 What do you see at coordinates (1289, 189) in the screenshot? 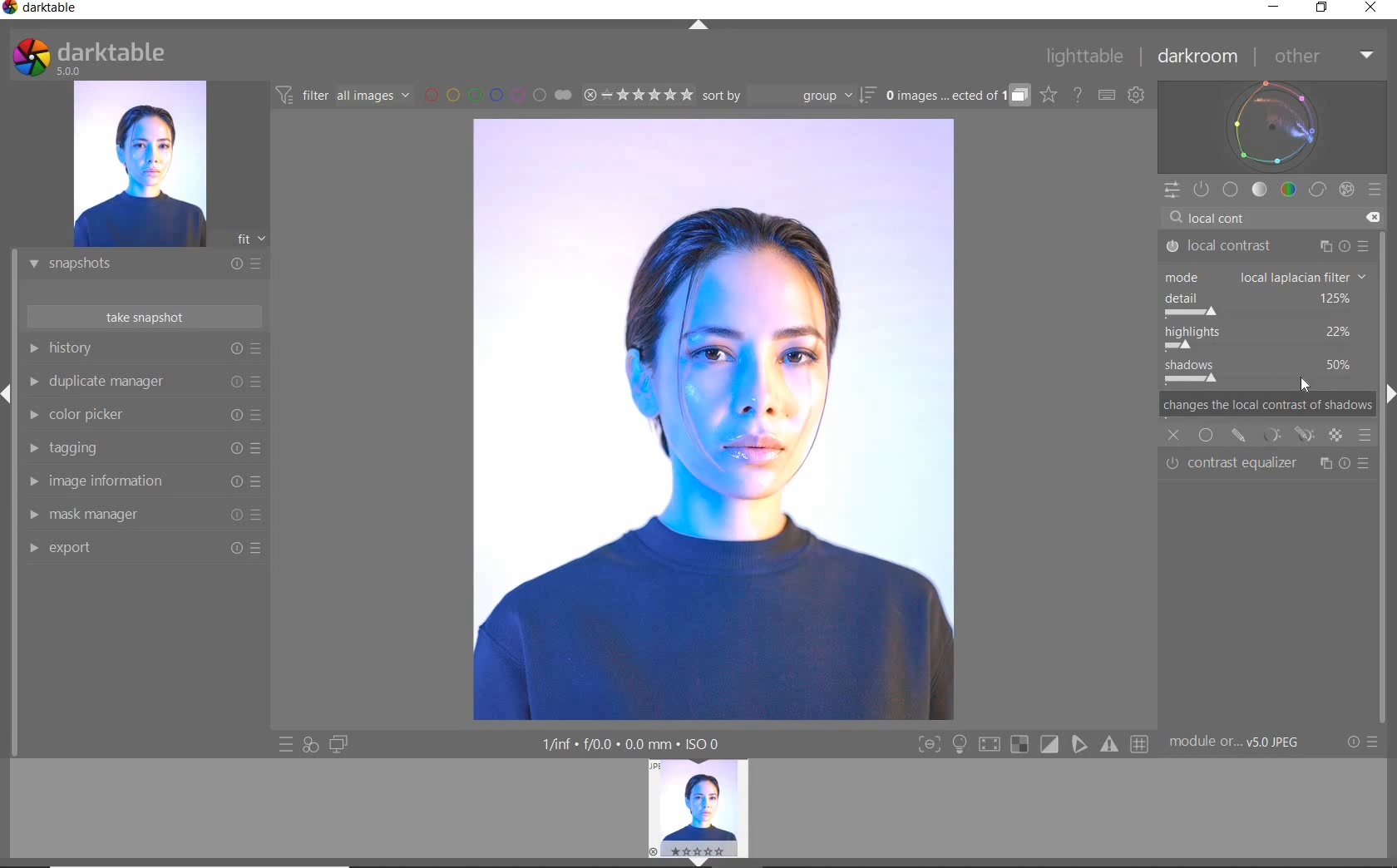
I see `COLOR` at bounding box center [1289, 189].